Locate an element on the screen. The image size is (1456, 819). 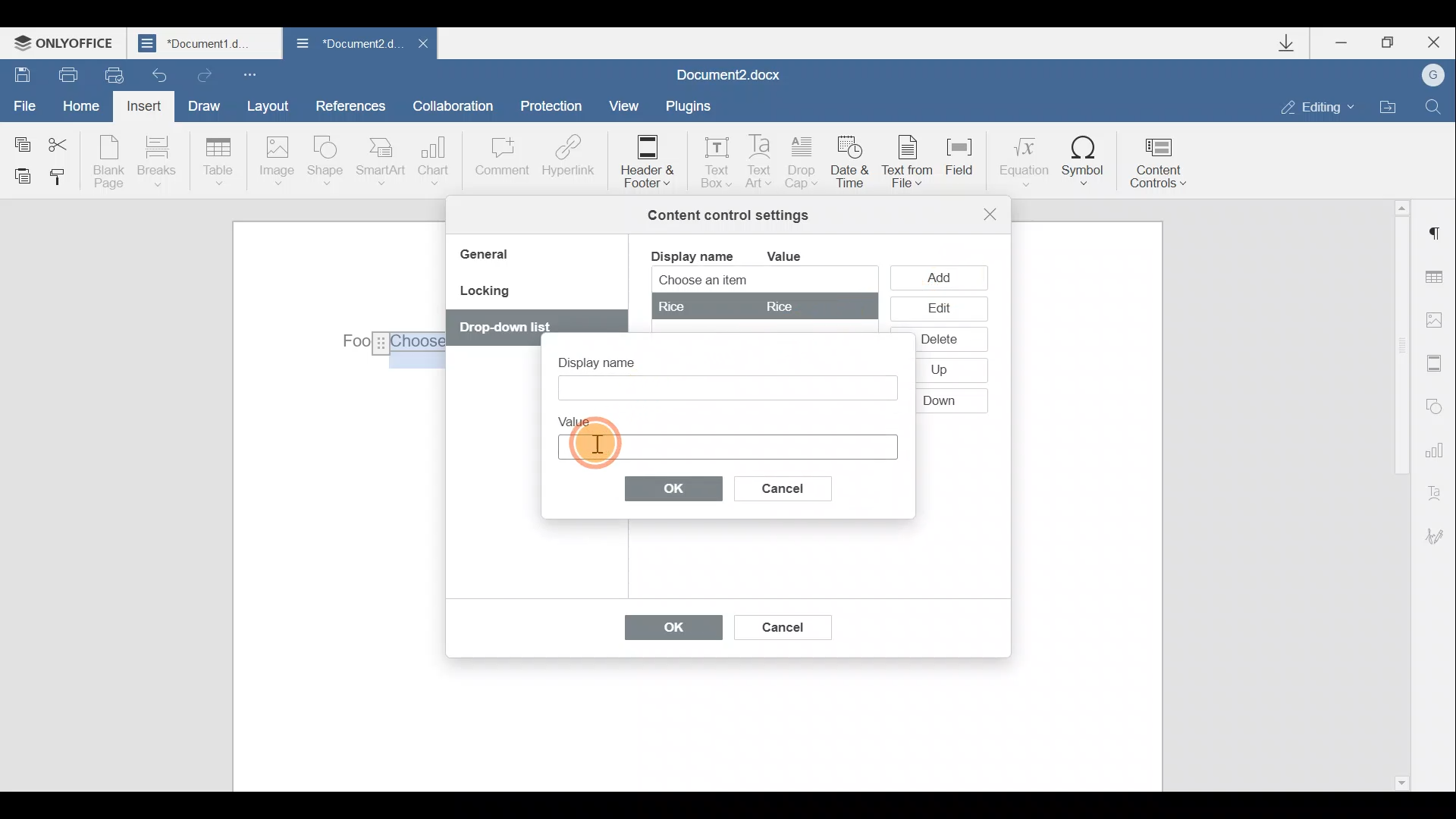
Copy style is located at coordinates (59, 180).